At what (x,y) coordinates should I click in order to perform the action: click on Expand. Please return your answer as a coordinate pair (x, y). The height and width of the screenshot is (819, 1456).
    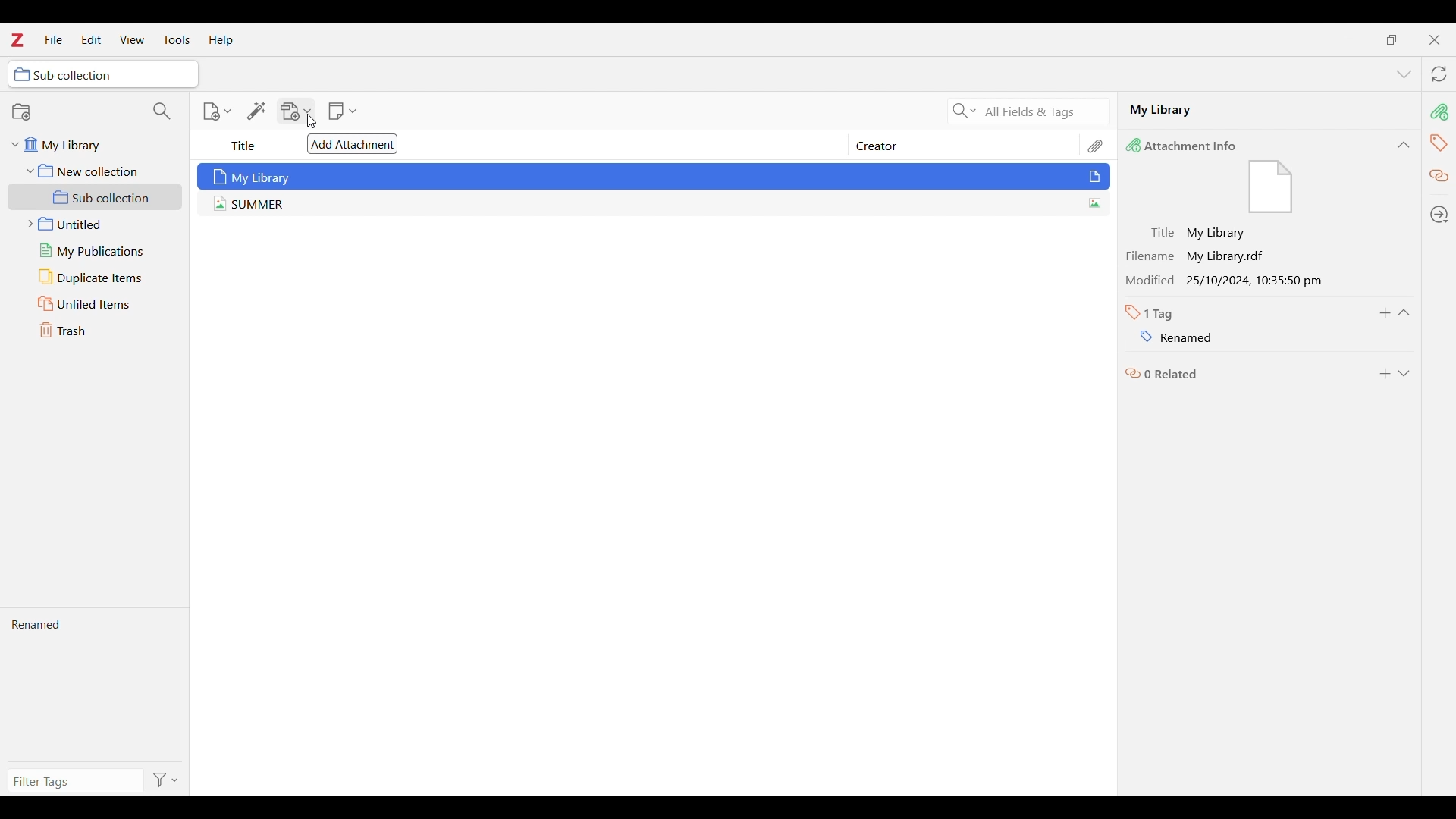
    Looking at the image, I should click on (1404, 374).